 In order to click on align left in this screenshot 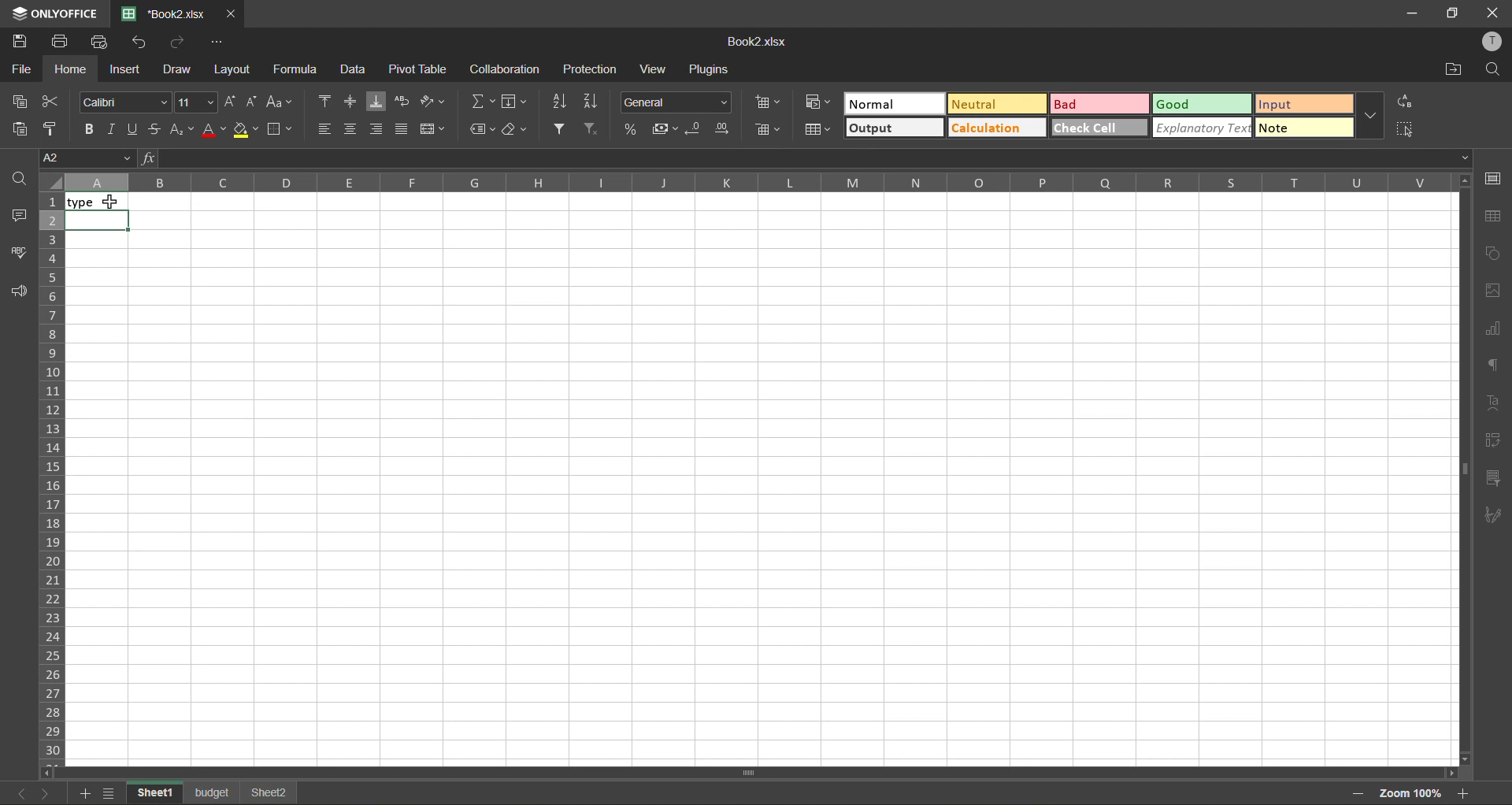, I will do `click(324, 128)`.